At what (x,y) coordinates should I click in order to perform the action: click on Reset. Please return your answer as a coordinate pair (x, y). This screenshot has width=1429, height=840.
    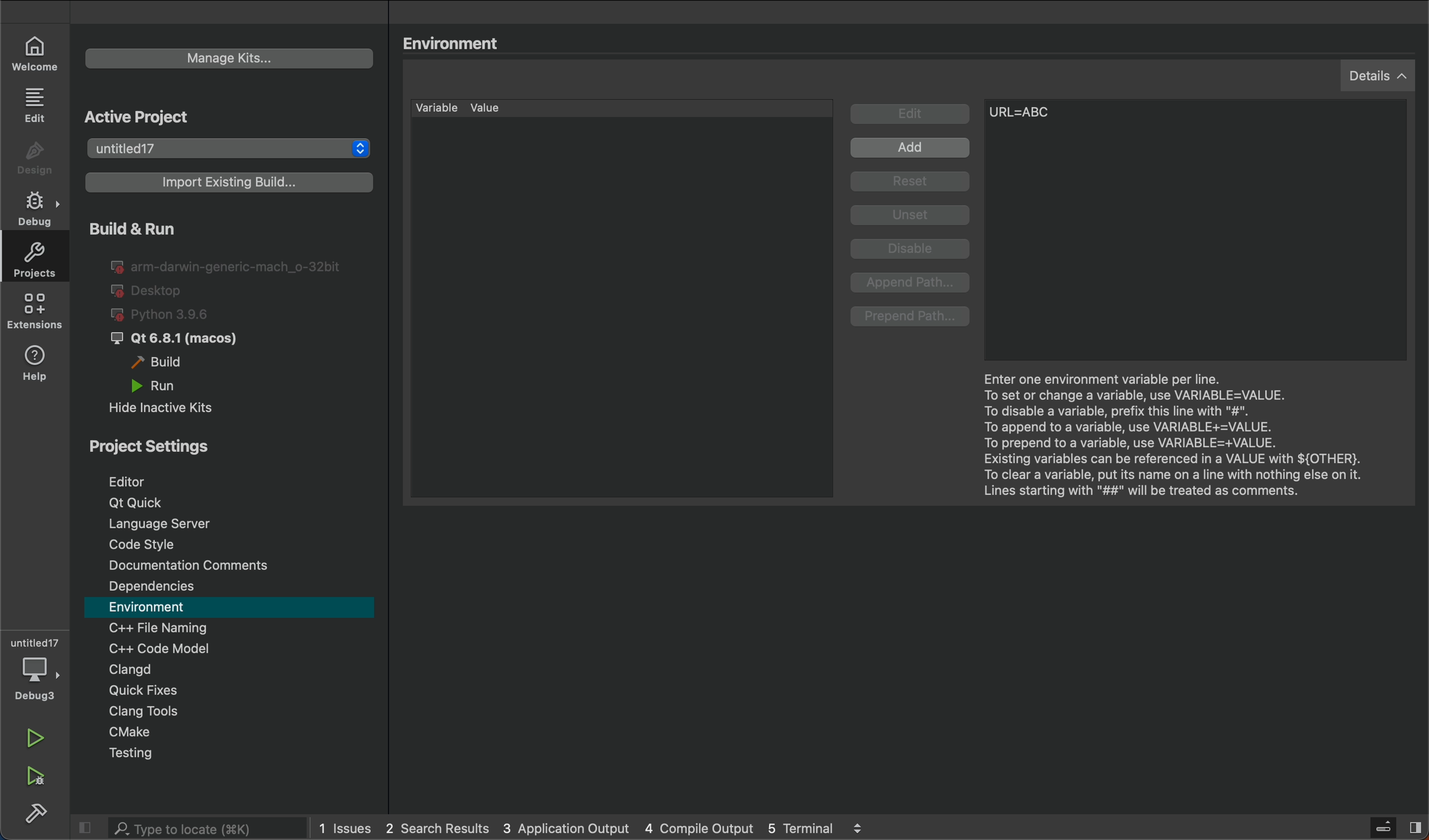
    Looking at the image, I should click on (914, 183).